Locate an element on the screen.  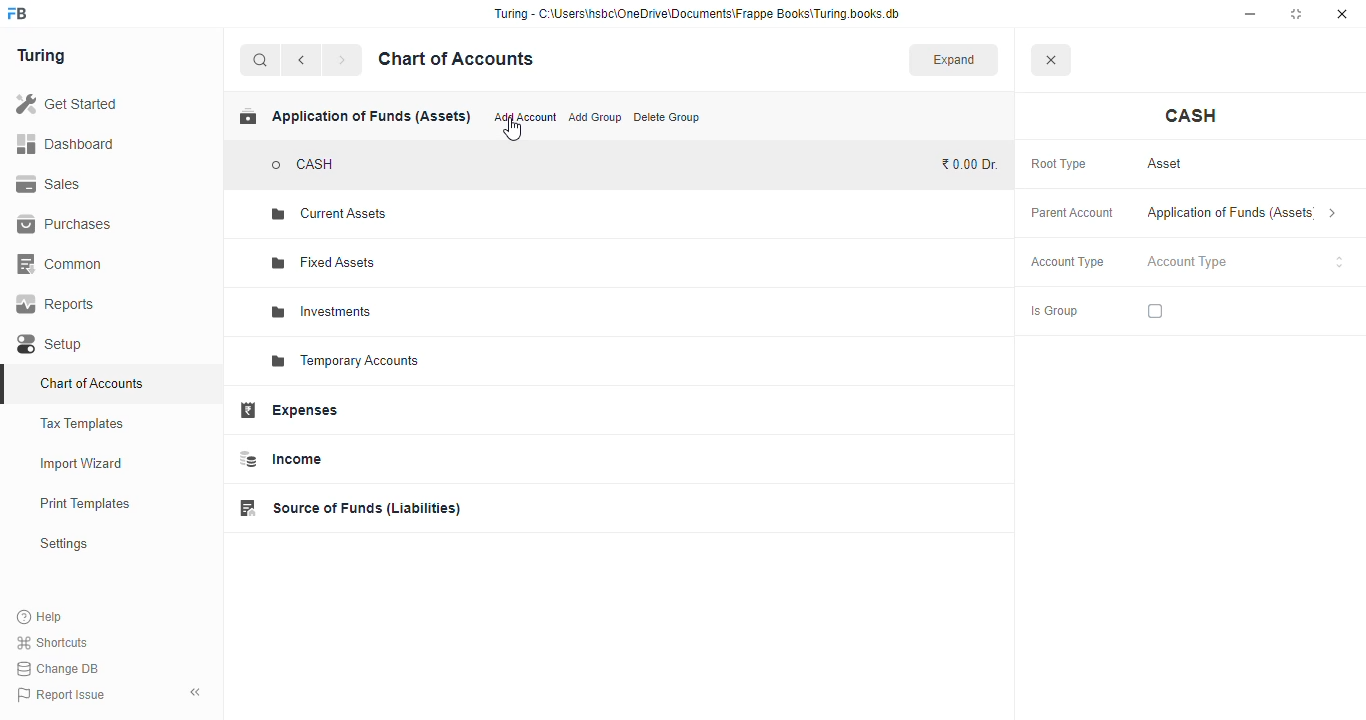
investments is located at coordinates (323, 312).